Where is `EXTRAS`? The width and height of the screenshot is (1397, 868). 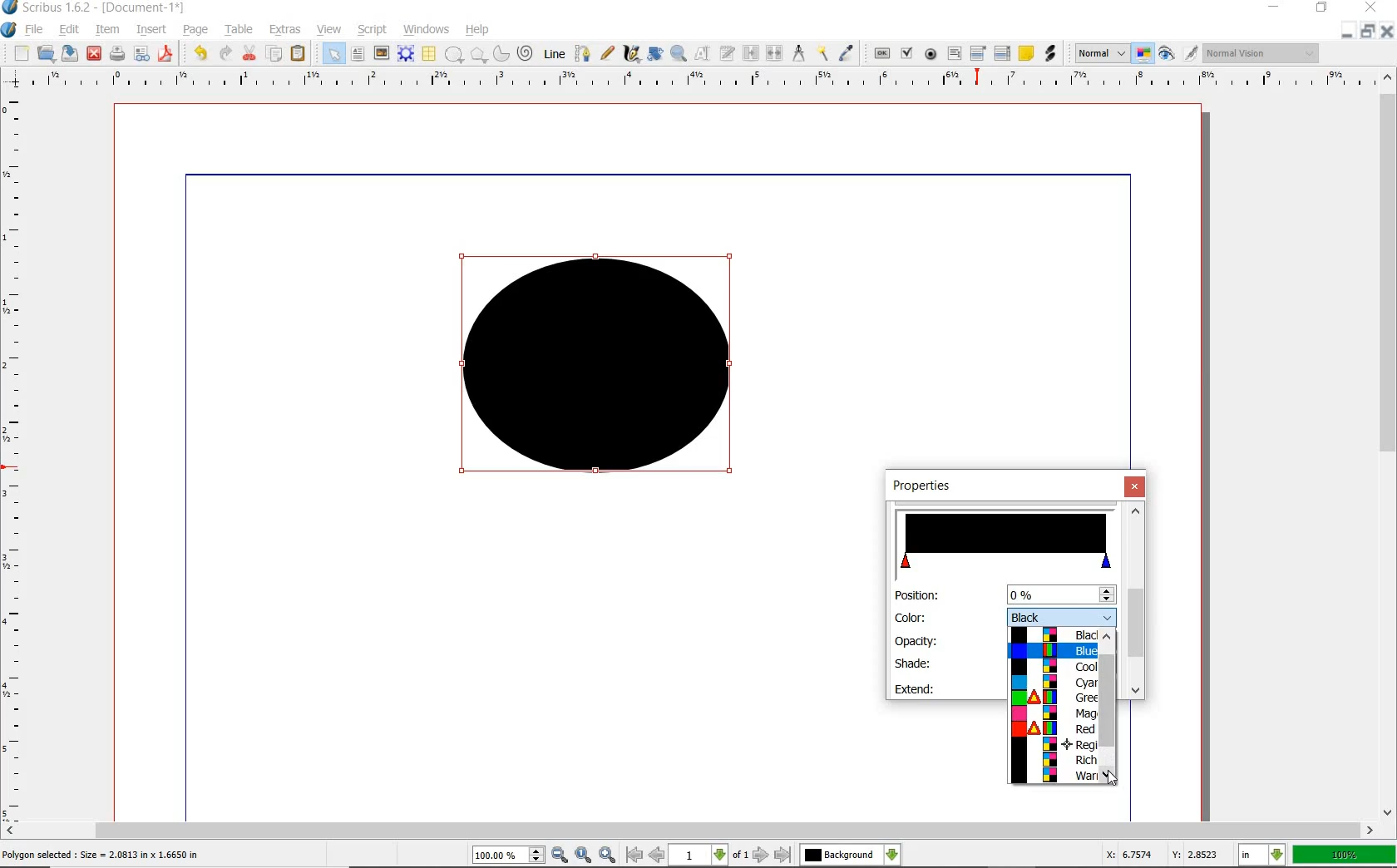
EXTRAS is located at coordinates (285, 30).